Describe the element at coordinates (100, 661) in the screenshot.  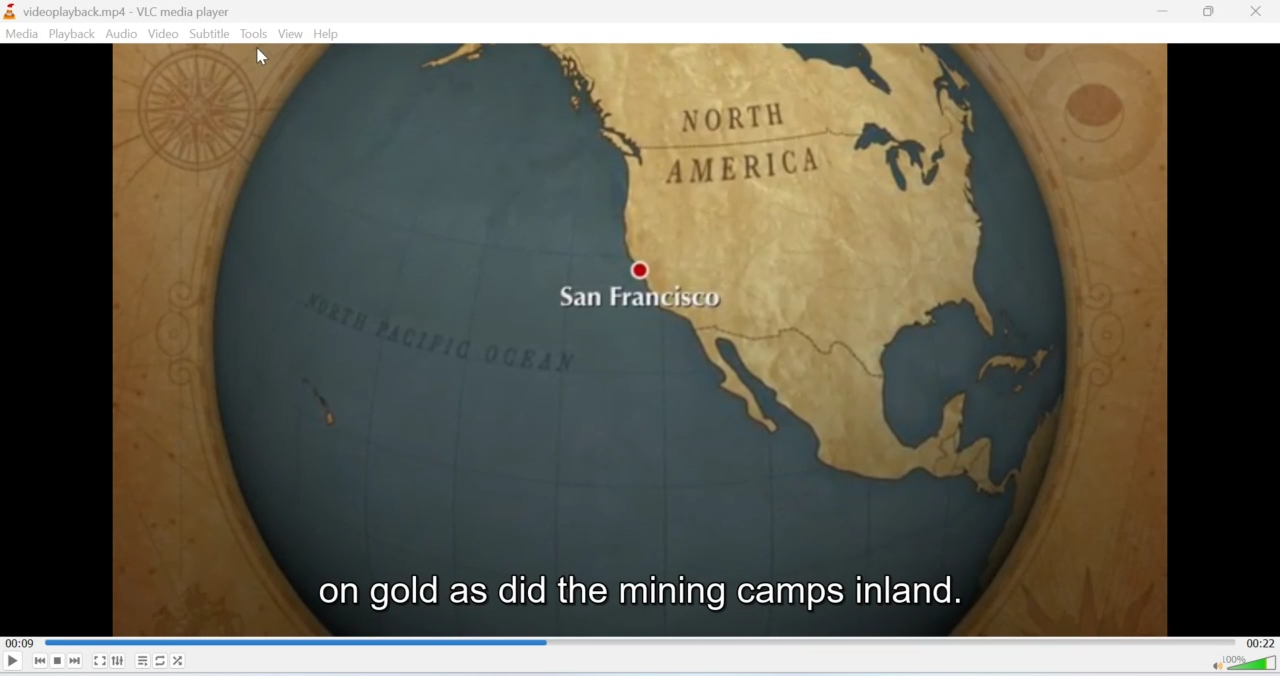
I see `Fullscreen` at that location.